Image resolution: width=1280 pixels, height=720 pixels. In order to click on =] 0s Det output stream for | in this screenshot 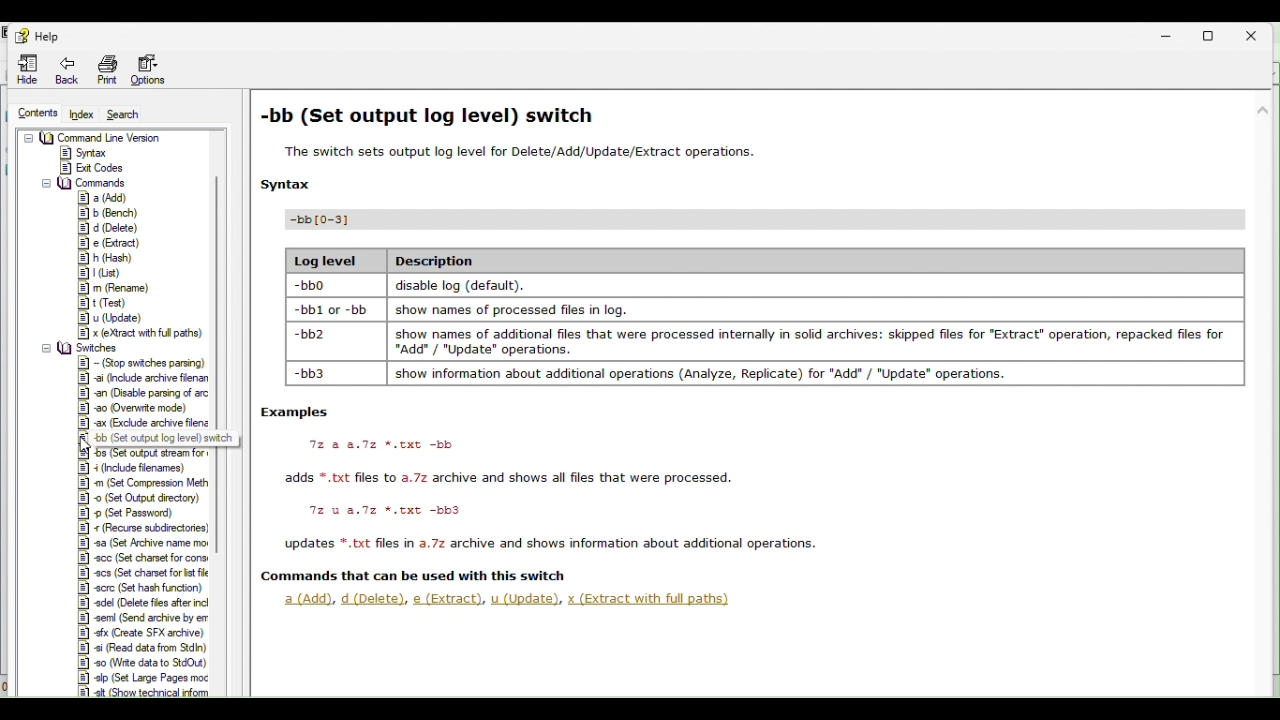, I will do `click(164, 454)`.